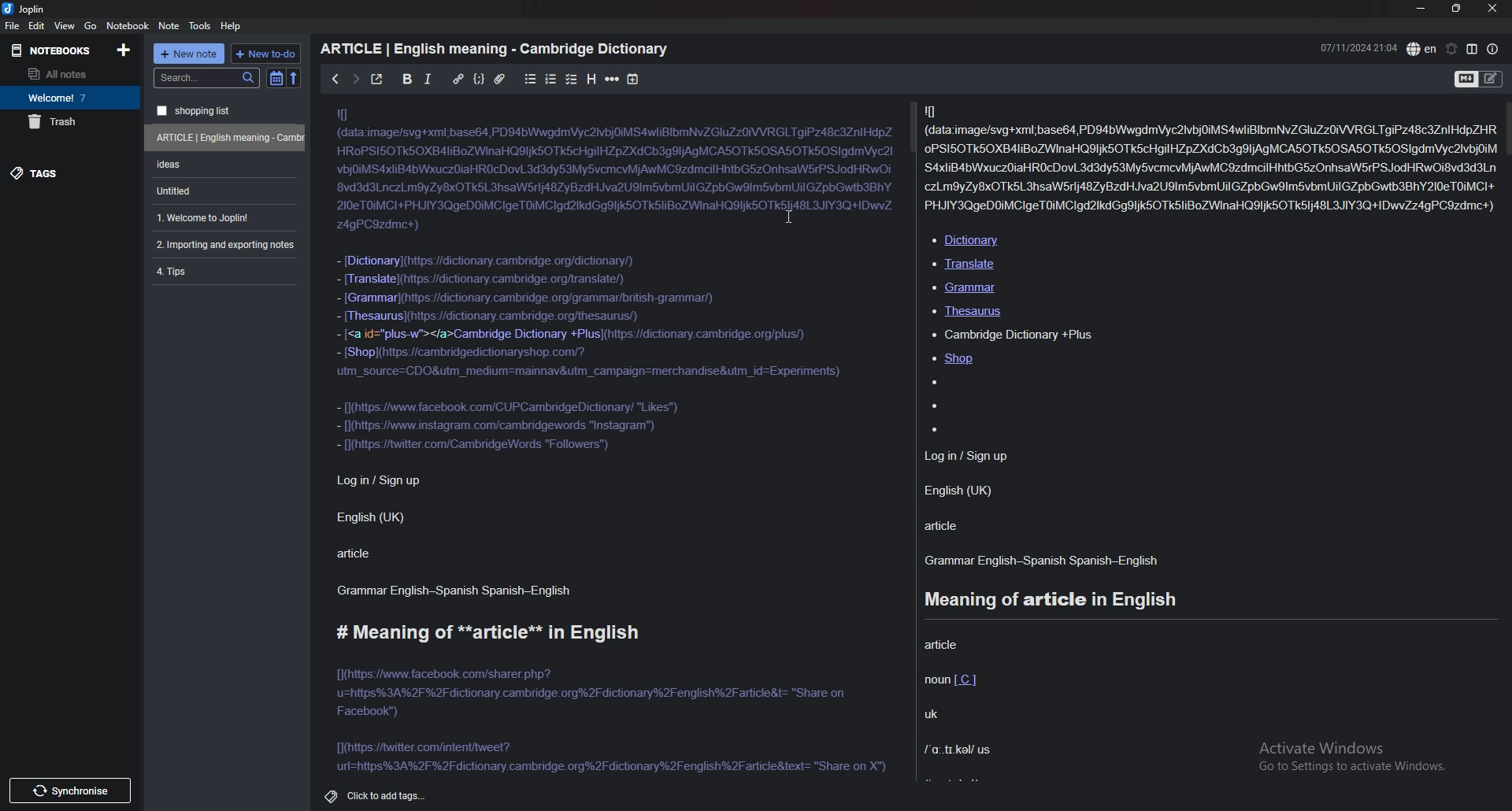 The width and height of the screenshot is (1512, 811). I want to click on numbered list, so click(551, 79).